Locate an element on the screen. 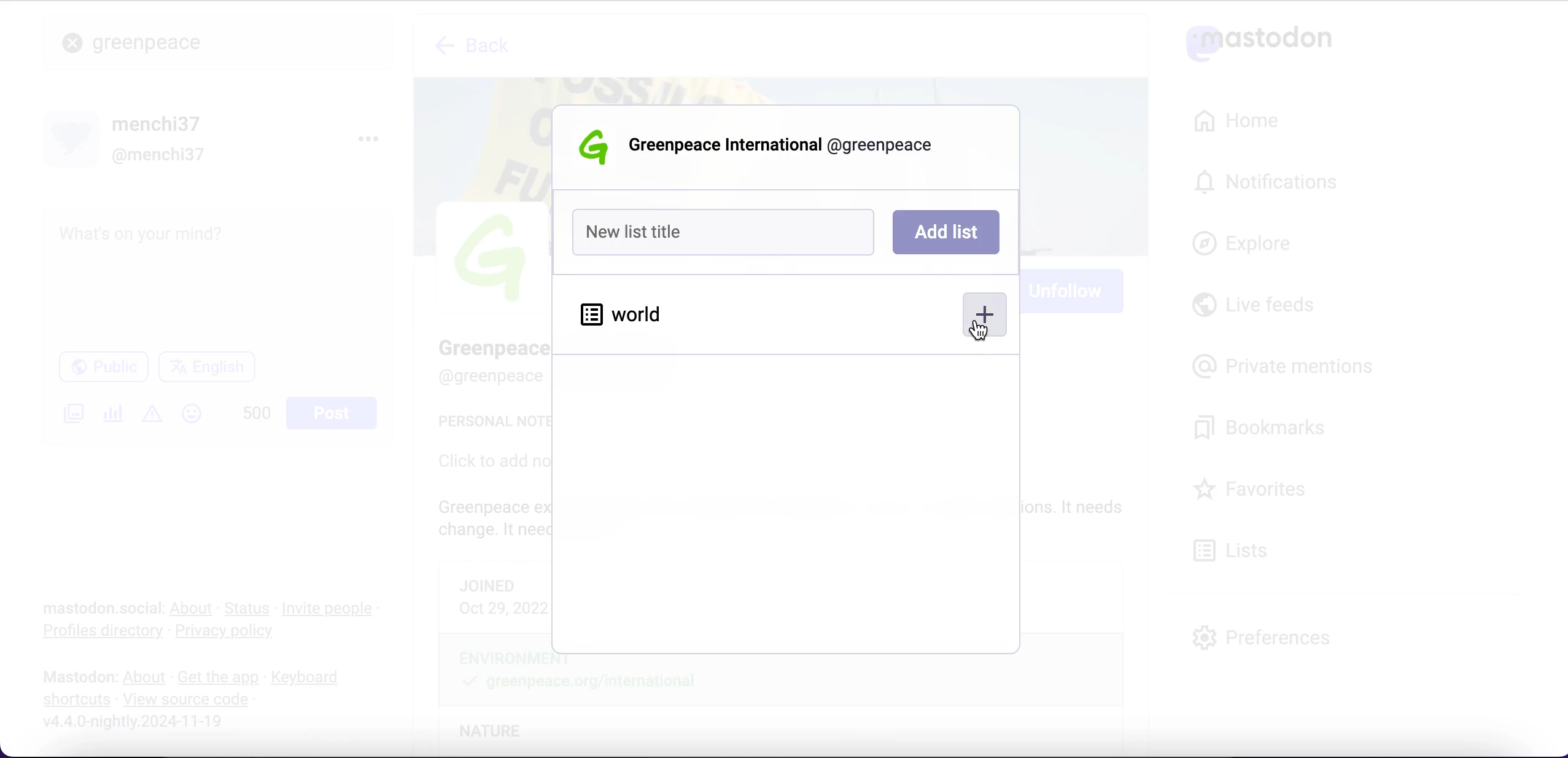 The height and width of the screenshot is (758, 1568). preferences is located at coordinates (1262, 637).